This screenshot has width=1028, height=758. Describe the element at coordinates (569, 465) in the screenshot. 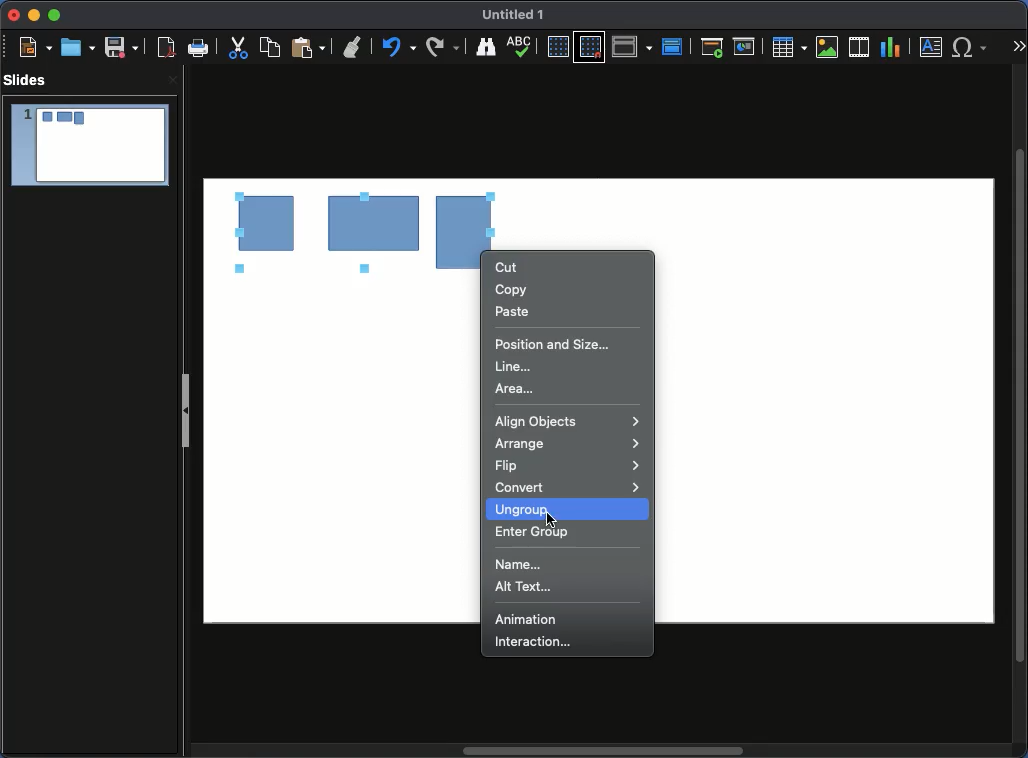

I see `Flip` at that location.